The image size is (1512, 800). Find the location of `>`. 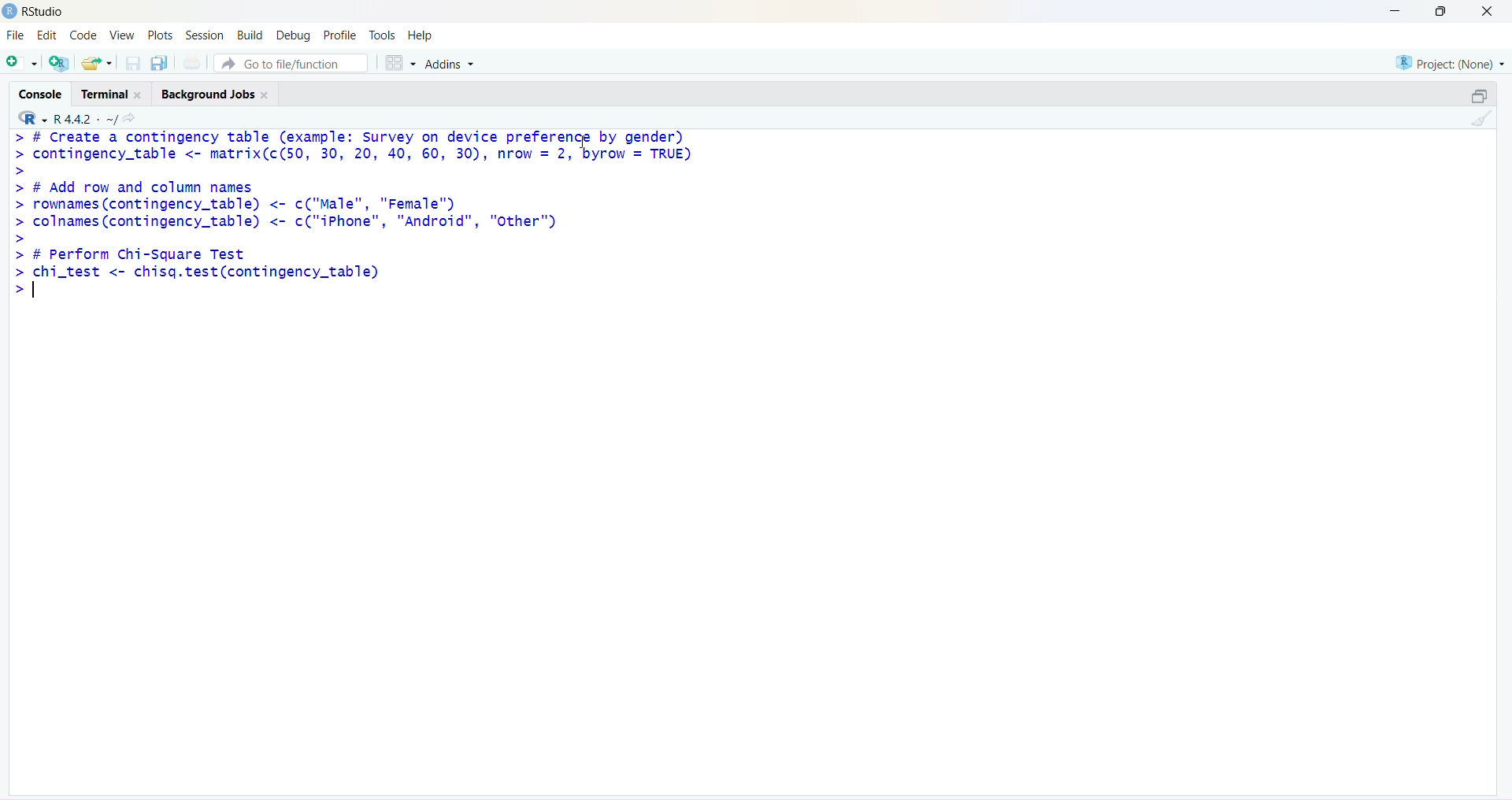

> is located at coordinates (22, 172).